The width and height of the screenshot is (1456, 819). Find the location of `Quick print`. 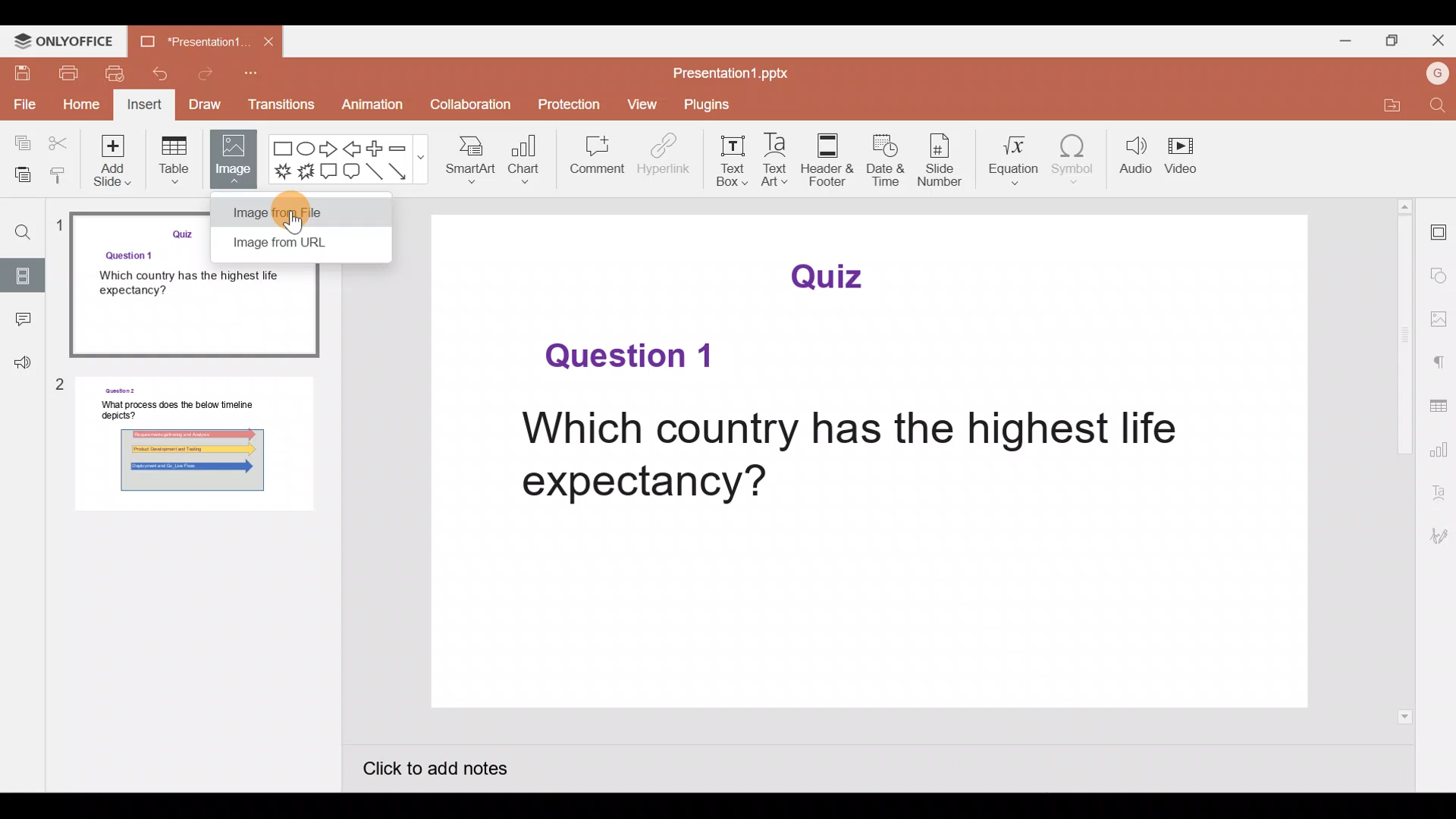

Quick print is located at coordinates (118, 74).